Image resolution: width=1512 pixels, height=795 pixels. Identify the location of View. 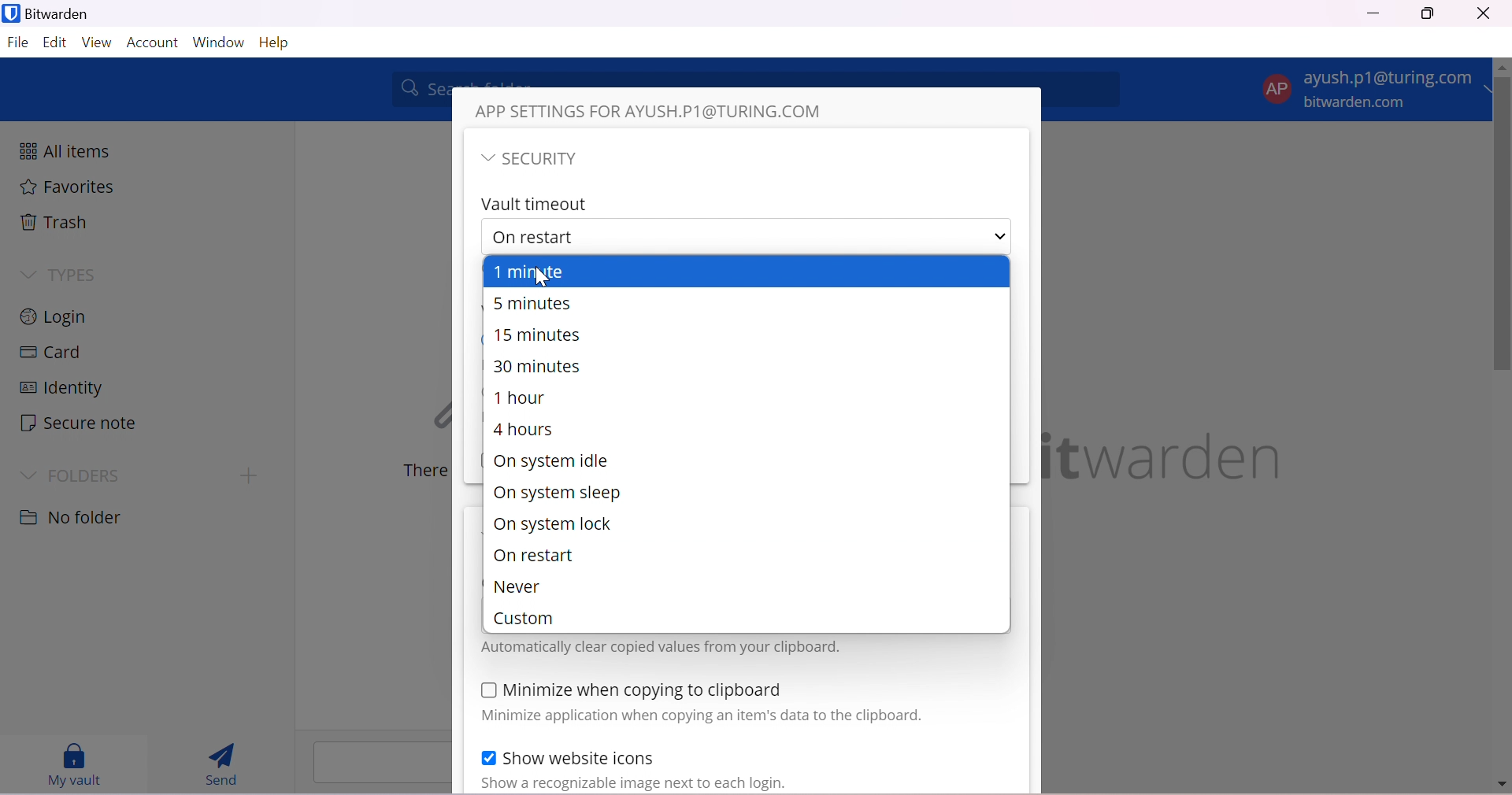
(98, 43).